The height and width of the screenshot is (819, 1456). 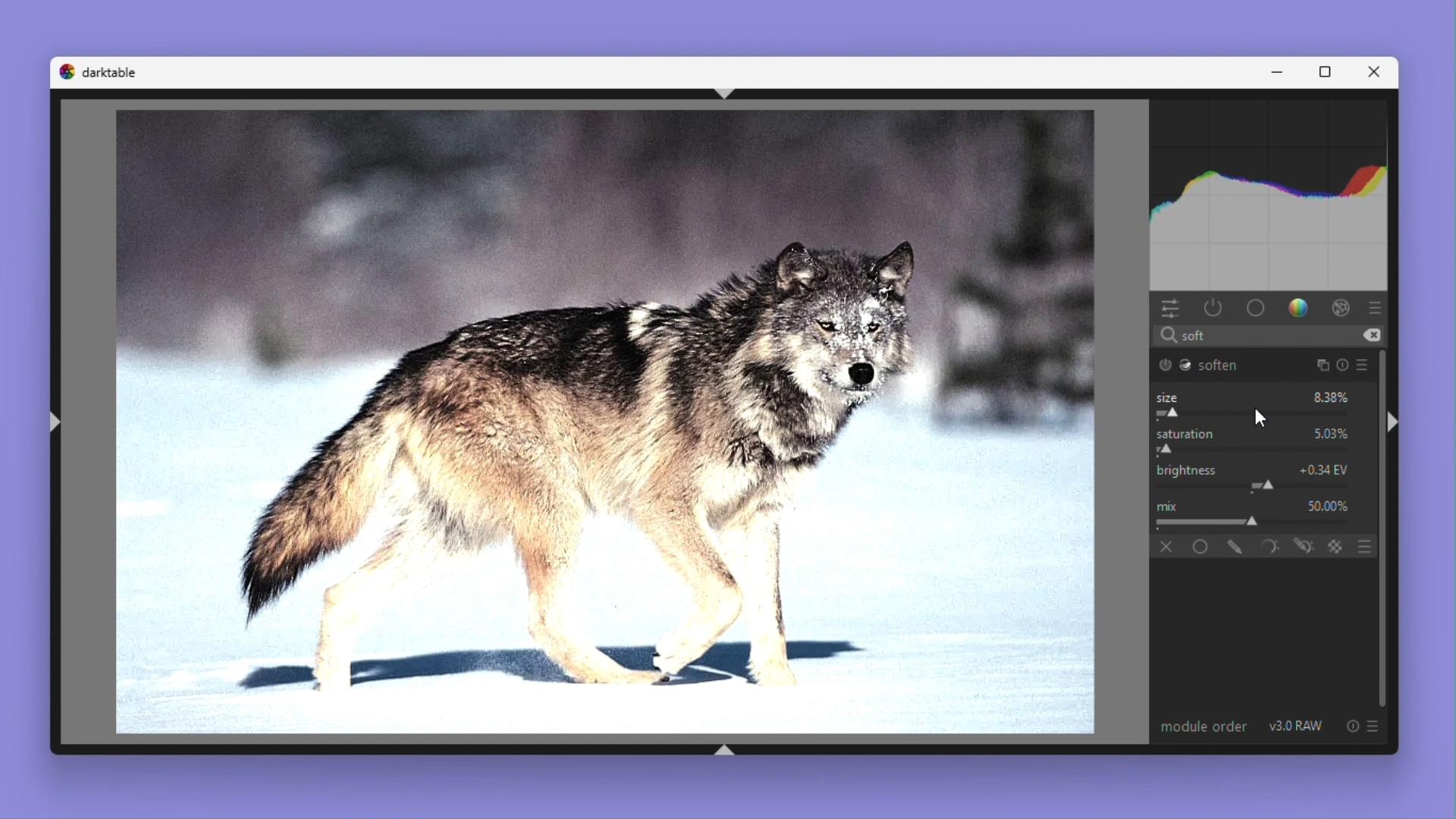 What do you see at coordinates (734, 94) in the screenshot?
I see `shift+ctrl+t` at bounding box center [734, 94].